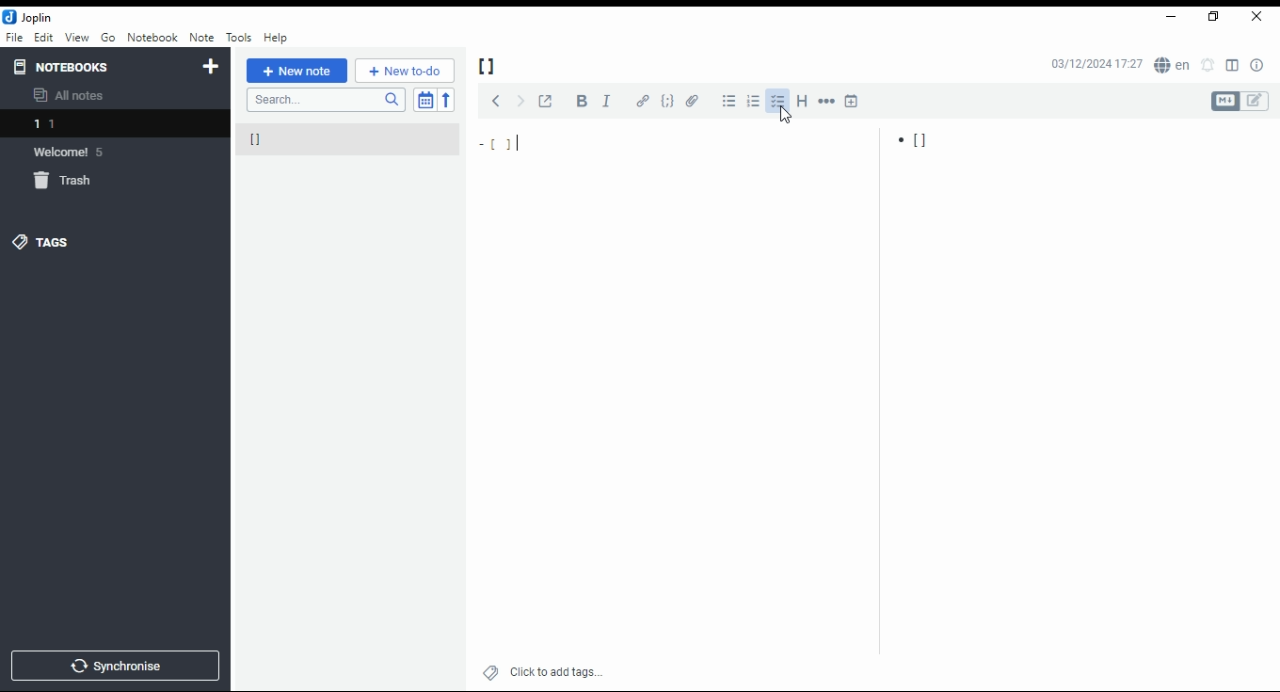  Describe the element at coordinates (425, 99) in the screenshot. I see `toggle sort order field` at that location.